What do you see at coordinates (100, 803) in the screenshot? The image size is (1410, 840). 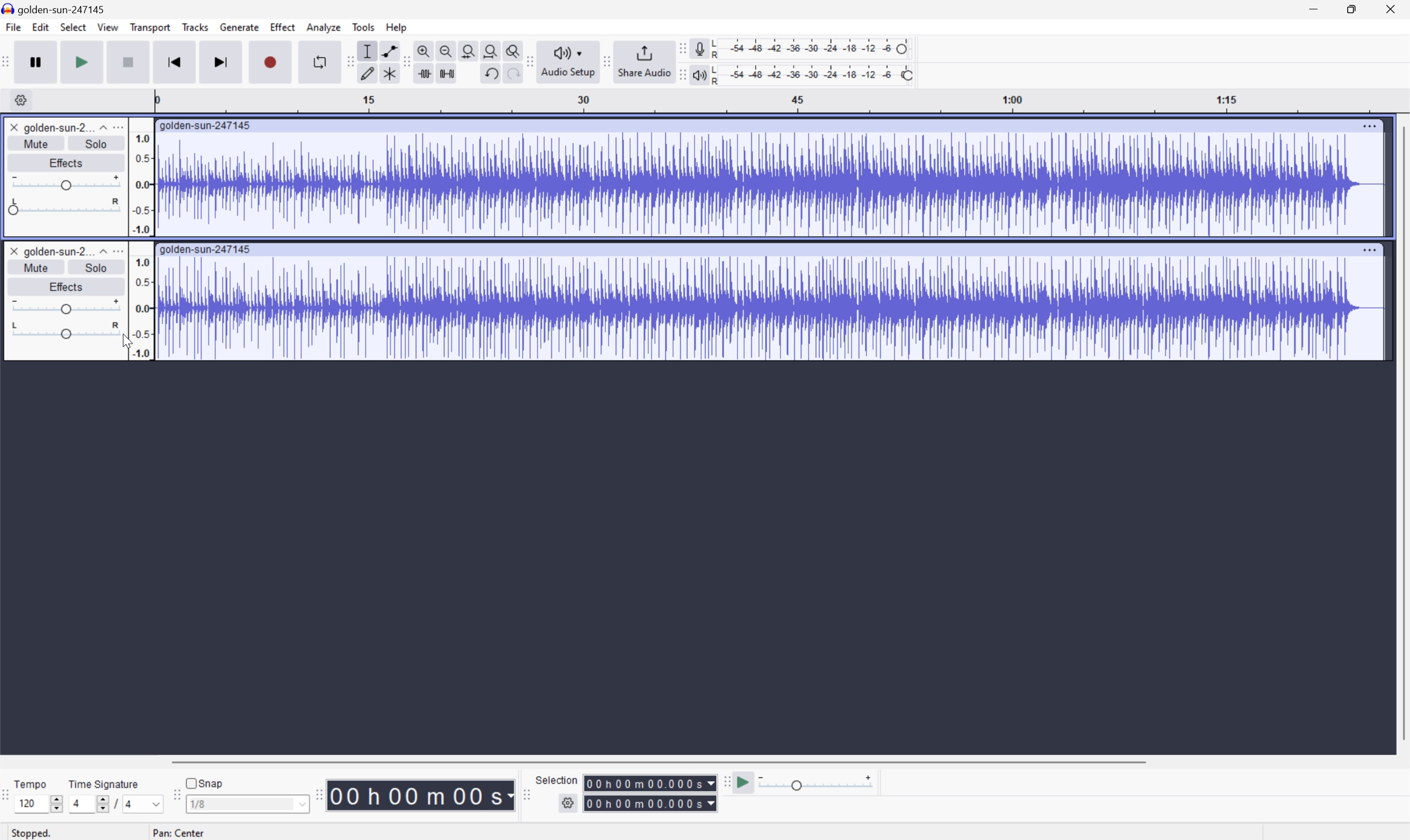 I see `Slider` at bounding box center [100, 803].